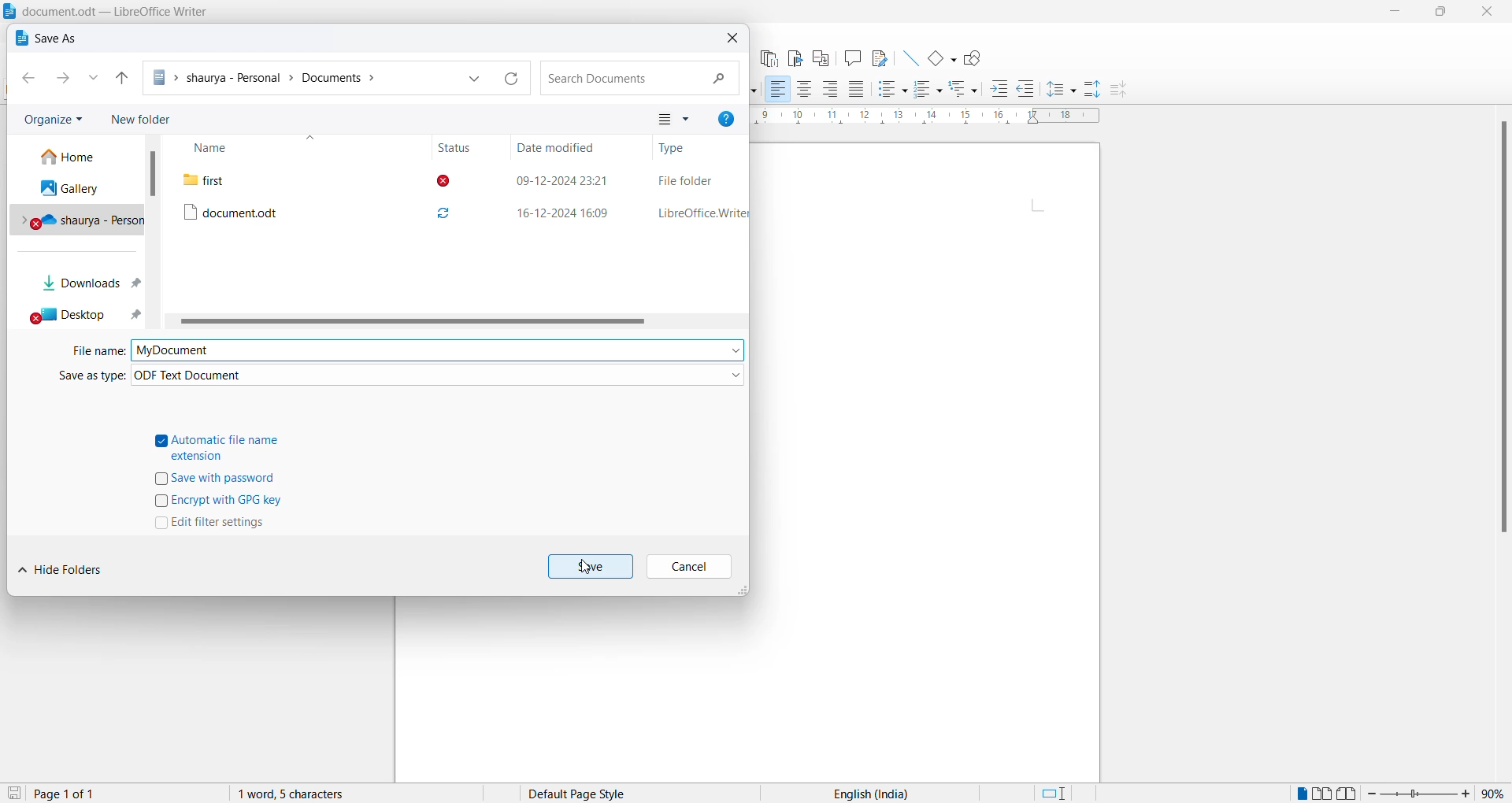  I want to click on Gallery, so click(78, 191).